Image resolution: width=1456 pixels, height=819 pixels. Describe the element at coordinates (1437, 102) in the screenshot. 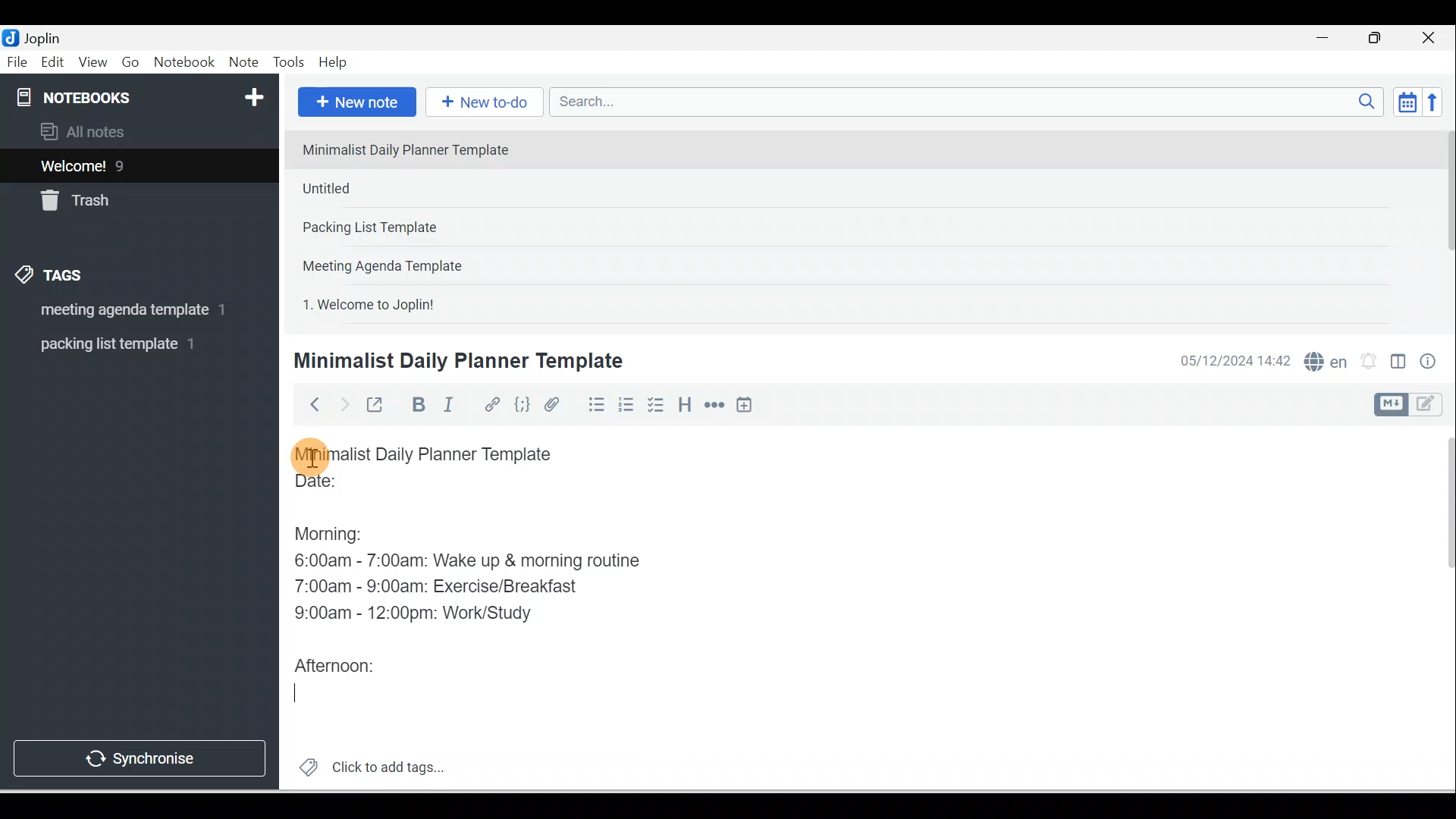

I see `Reverse sort` at that location.